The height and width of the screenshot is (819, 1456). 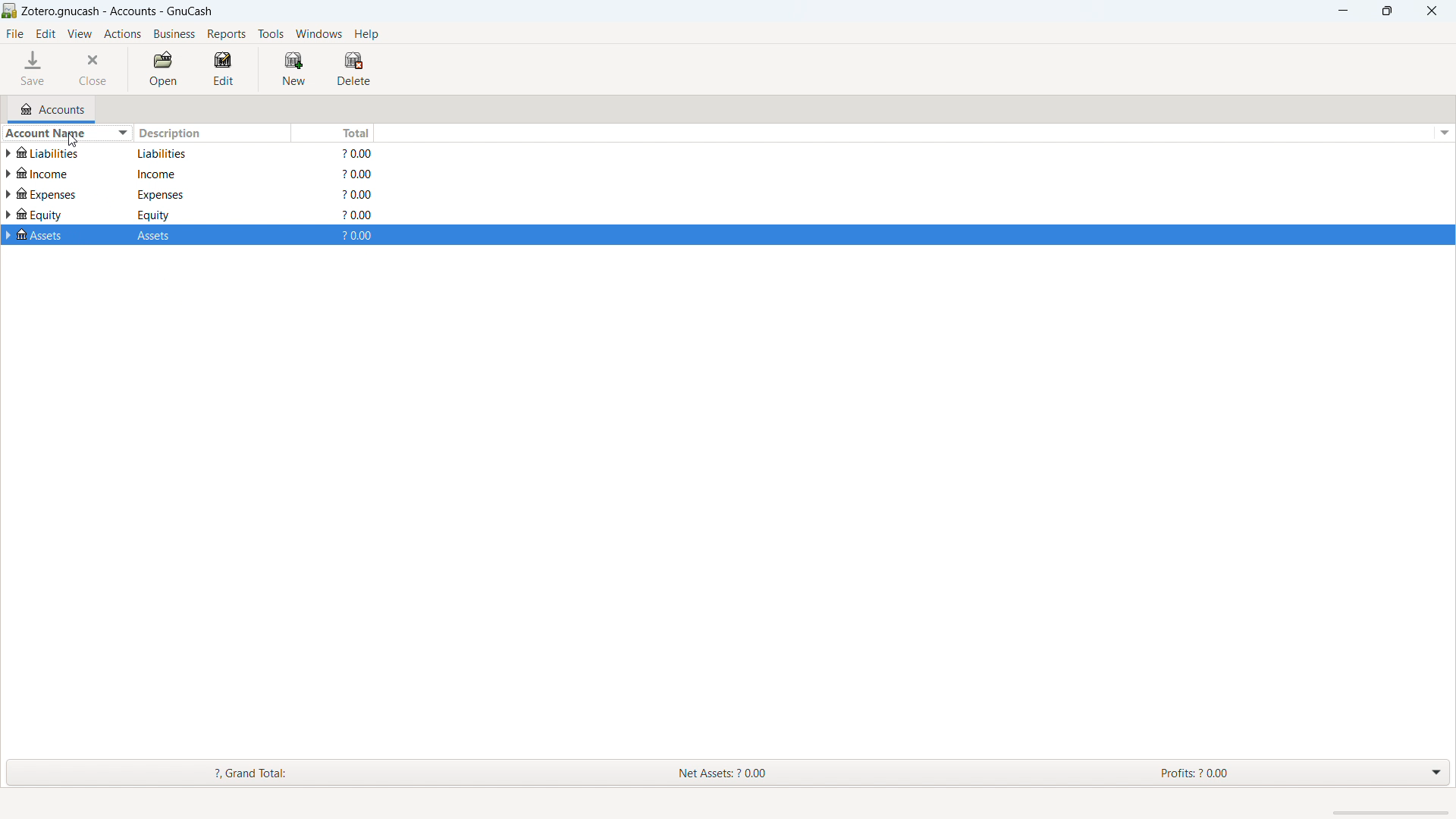 What do you see at coordinates (1442, 773) in the screenshot?
I see `options` at bounding box center [1442, 773].